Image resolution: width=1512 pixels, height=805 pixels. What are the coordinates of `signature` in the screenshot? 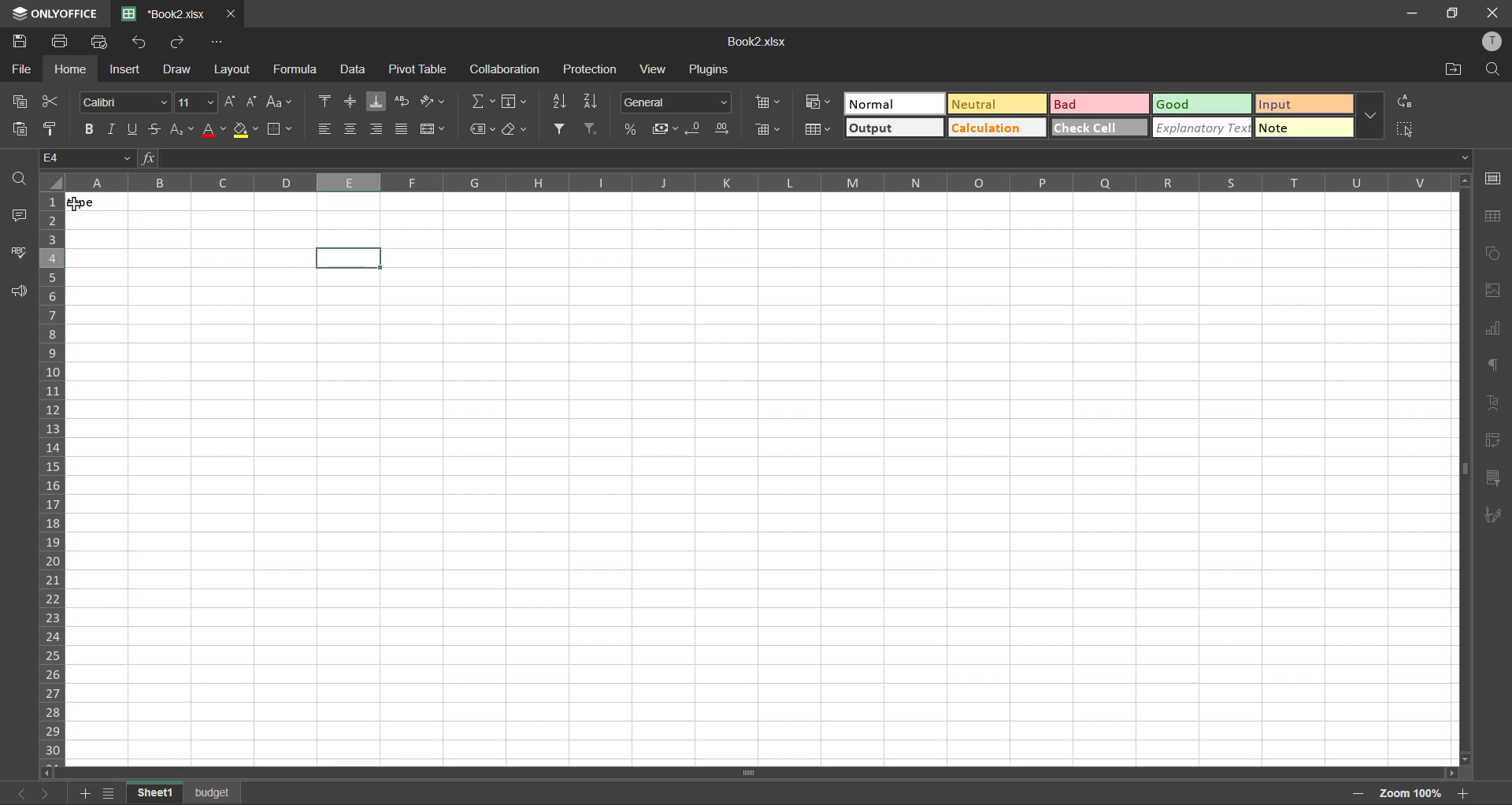 It's located at (1492, 517).